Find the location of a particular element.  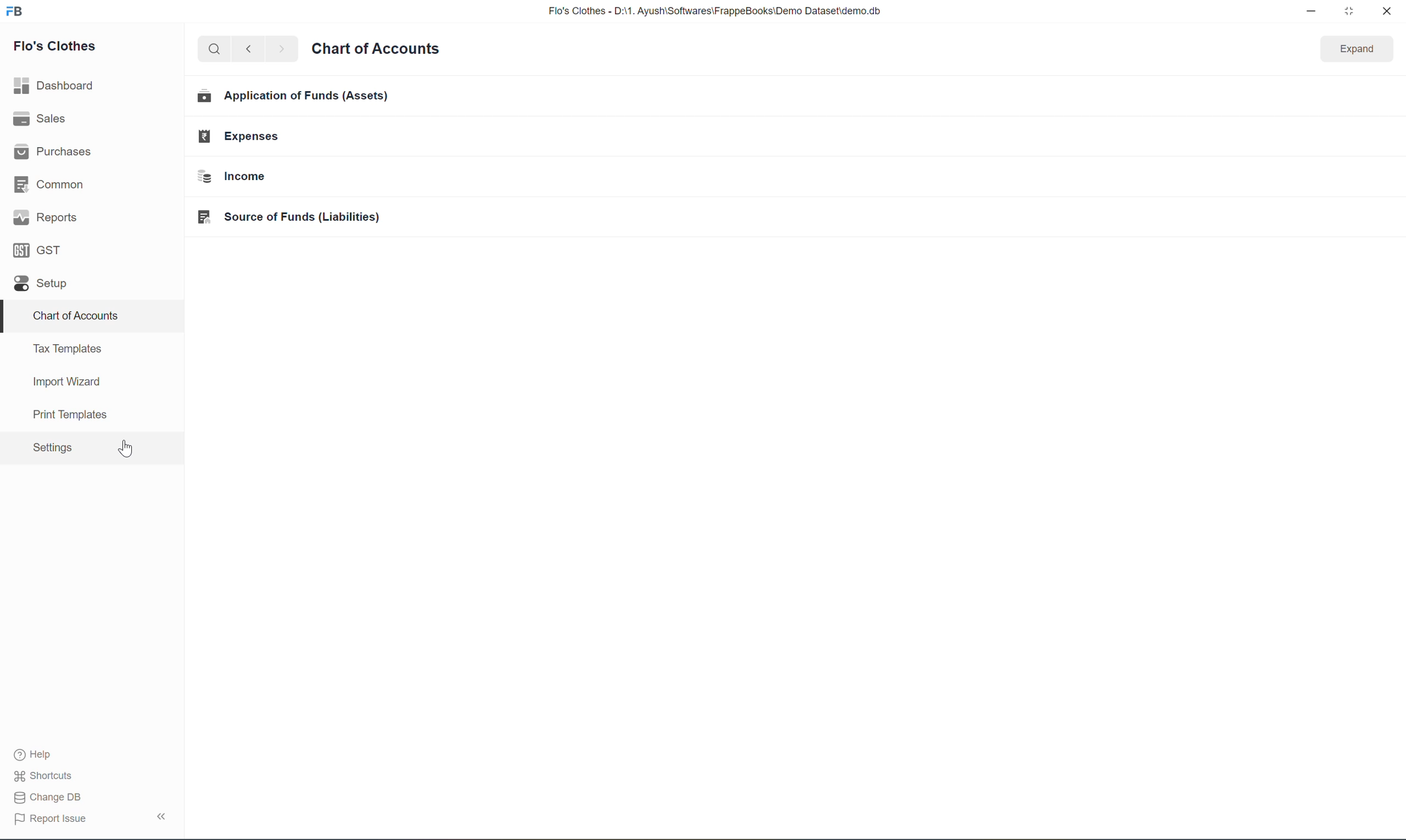

Reports is located at coordinates (45, 220).